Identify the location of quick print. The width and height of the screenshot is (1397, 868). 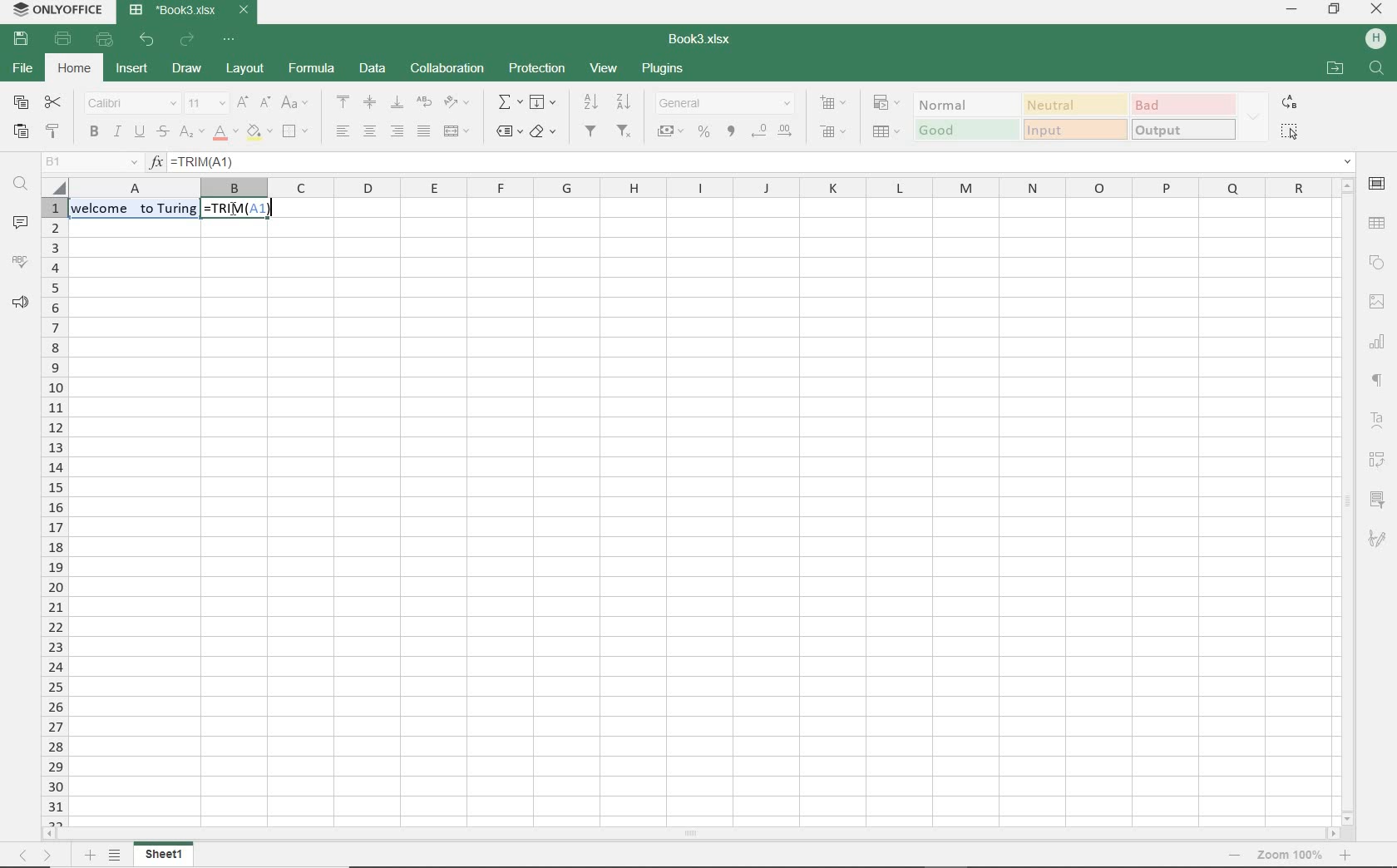
(106, 40).